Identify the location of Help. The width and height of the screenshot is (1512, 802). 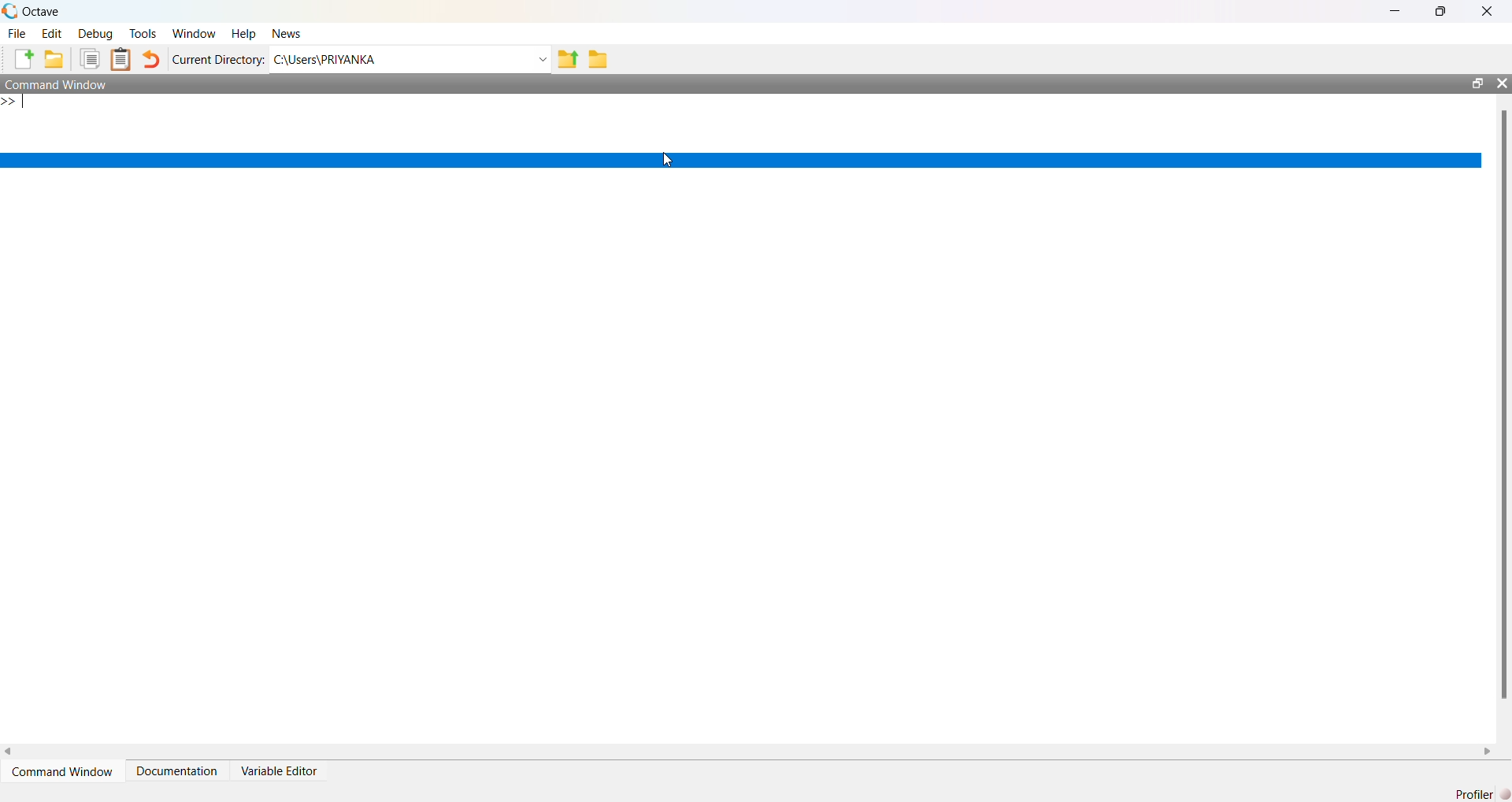
(243, 35).